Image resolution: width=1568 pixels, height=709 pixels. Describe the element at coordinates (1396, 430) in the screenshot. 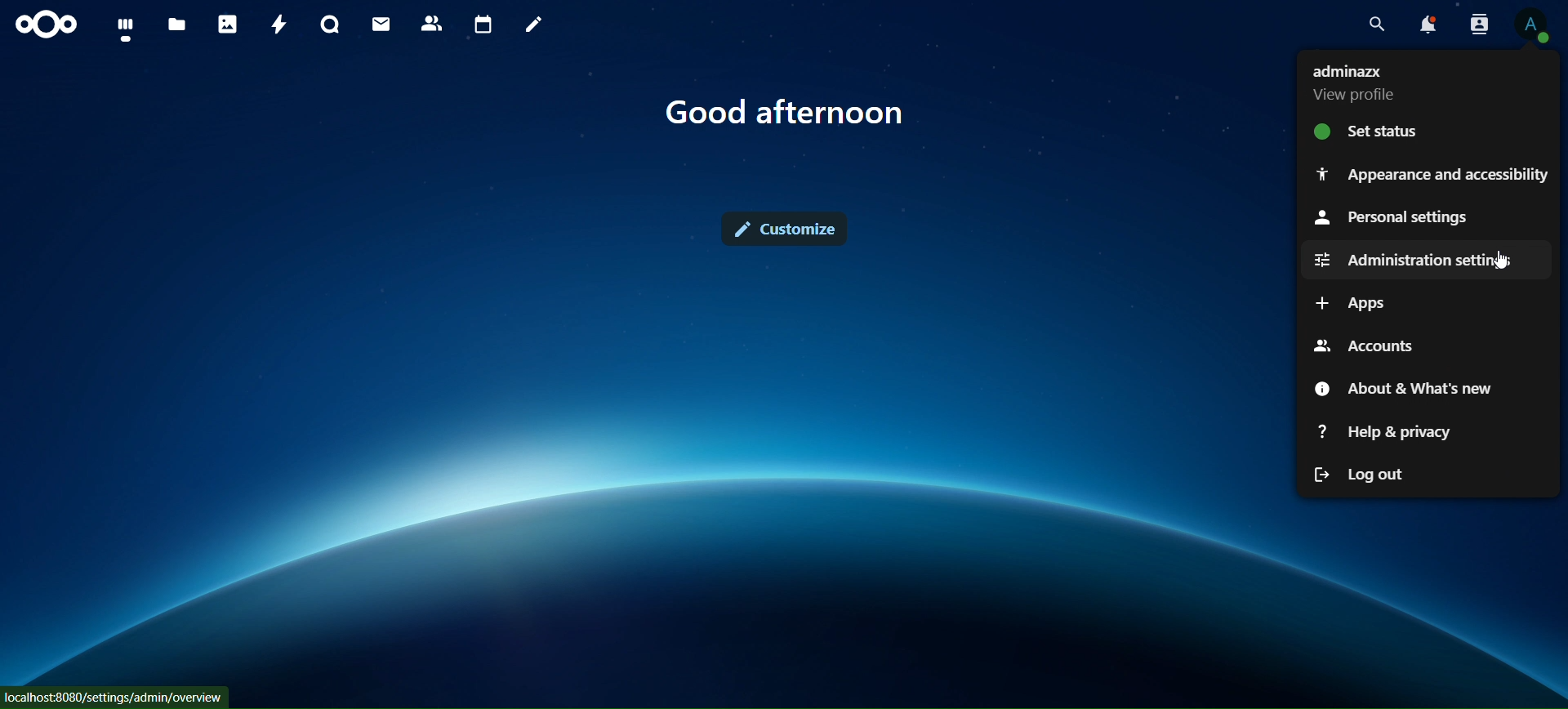

I see `help & privacy` at that location.